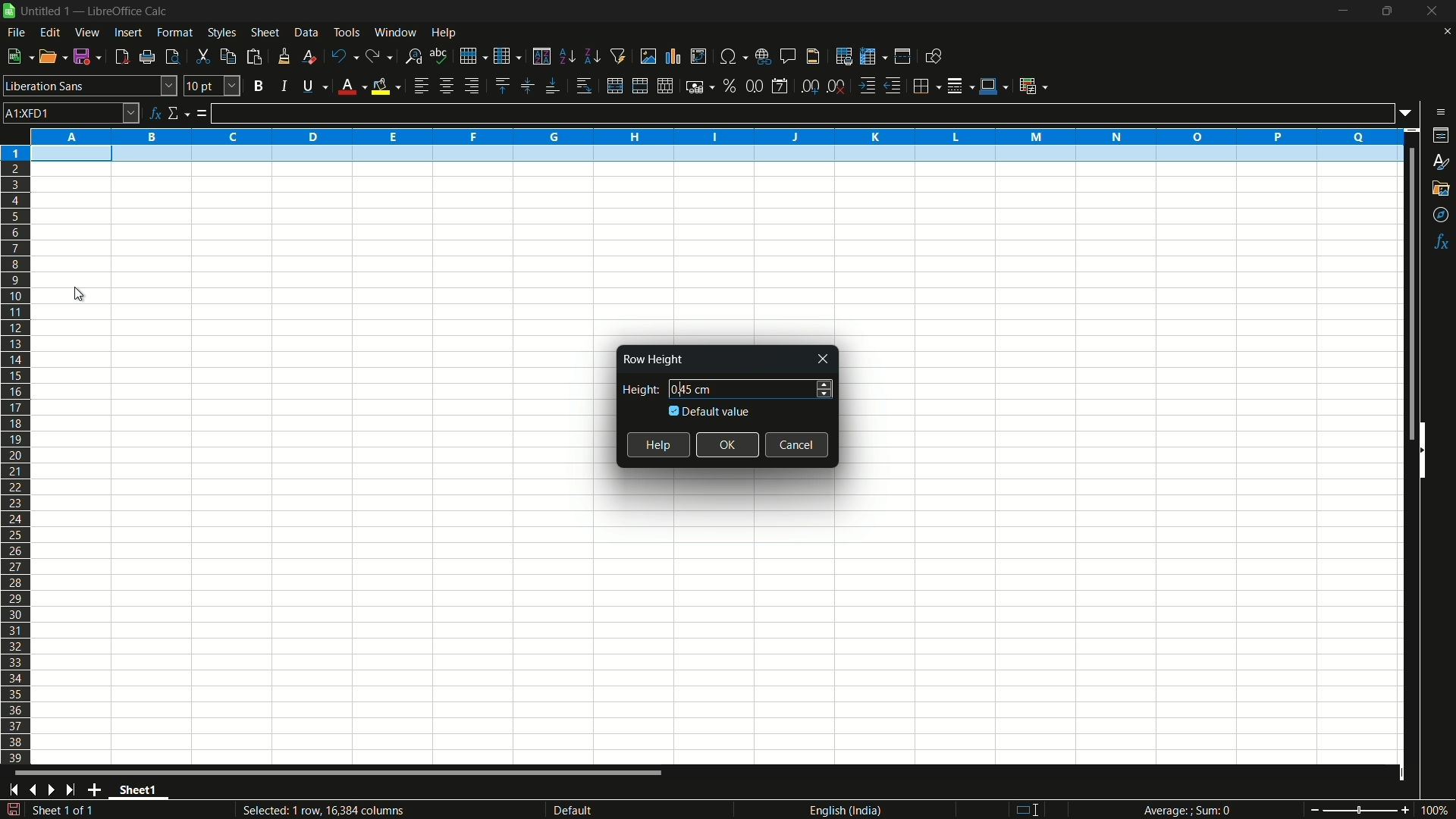  What do you see at coordinates (258, 85) in the screenshot?
I see `bold` at bounding box center [258, 85].